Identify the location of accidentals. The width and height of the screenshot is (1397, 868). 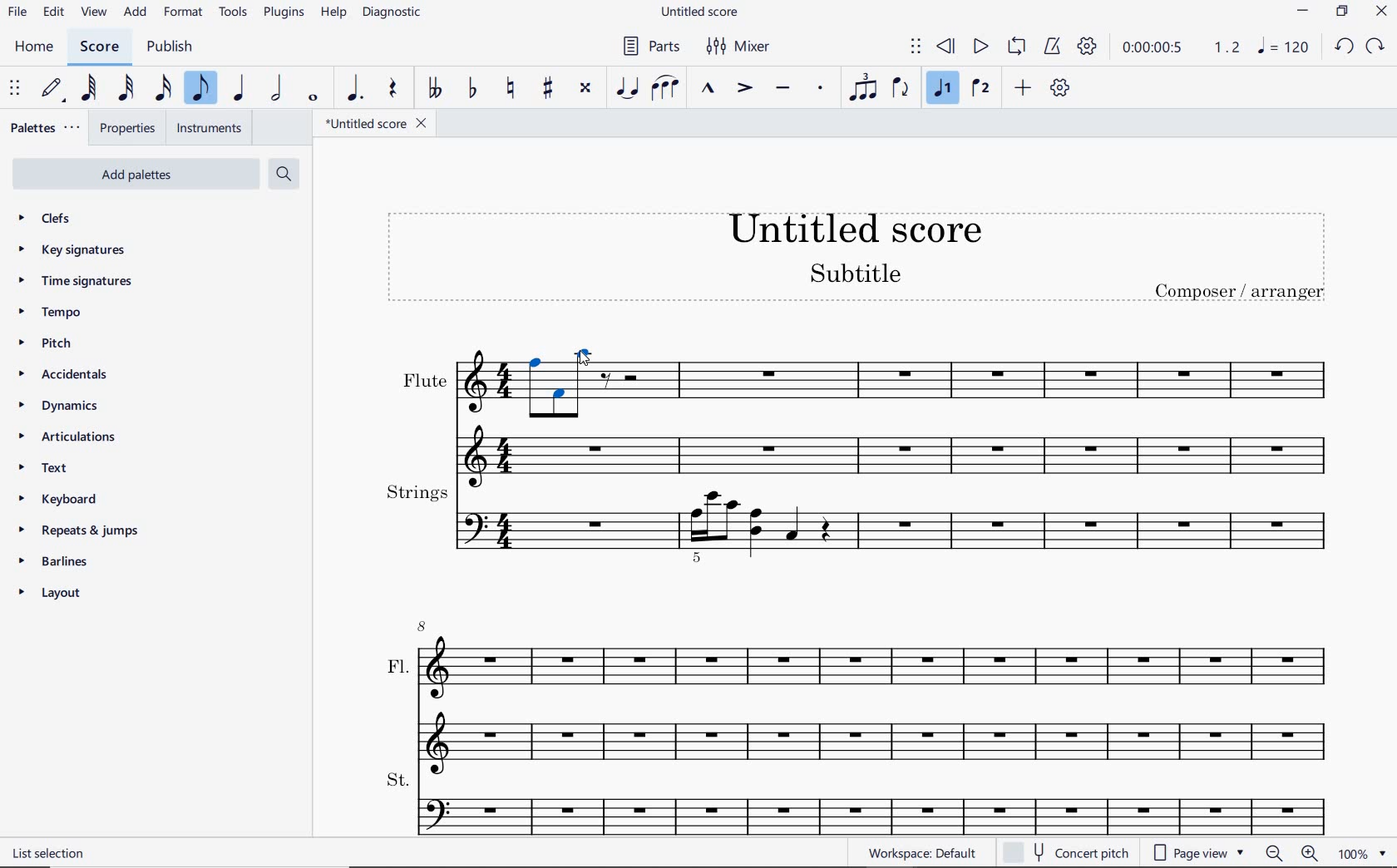
(62, 376).